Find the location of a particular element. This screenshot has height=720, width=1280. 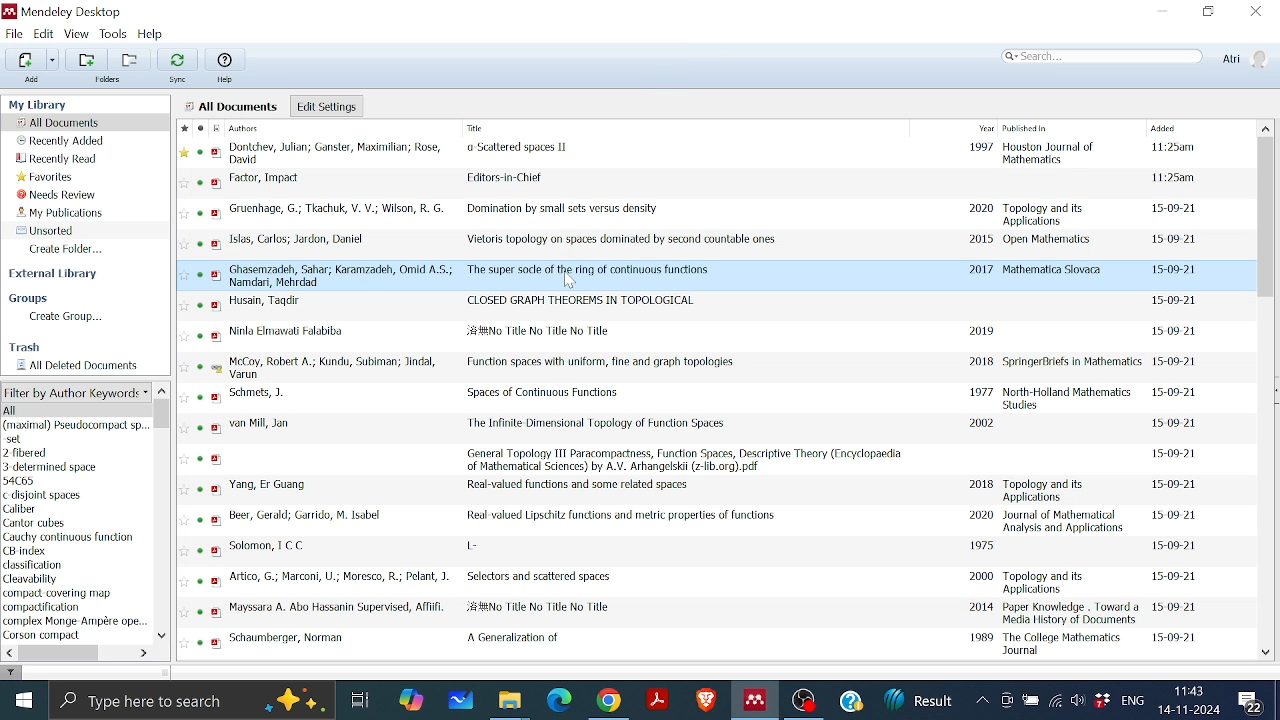

Editors-in Chief is located at coordinates (706, 184).